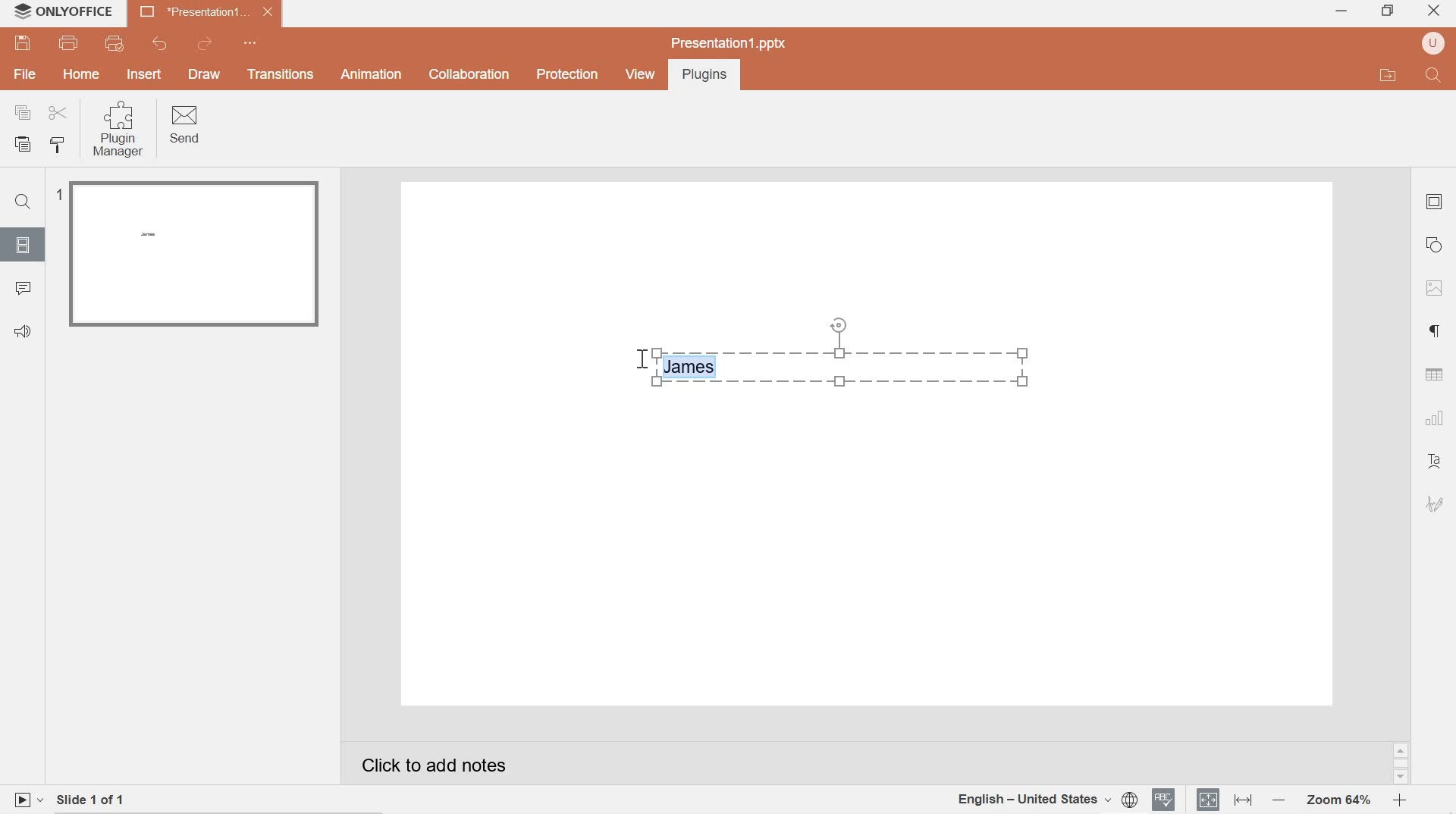  I want to click on Click to add notes, so click(454, 761).